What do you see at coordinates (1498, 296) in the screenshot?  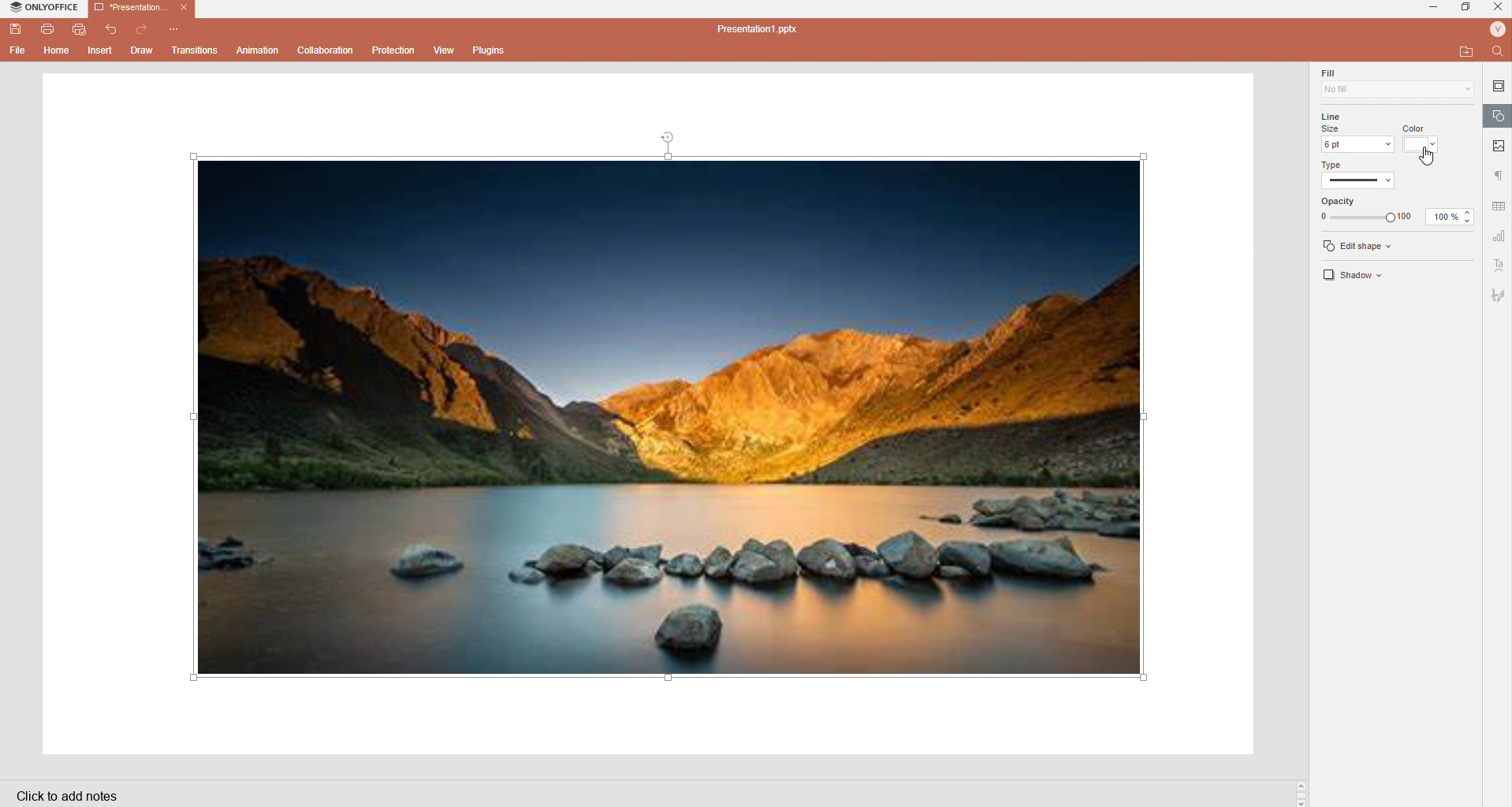 I see `Draw settings` at bounding box center [1498, 296].